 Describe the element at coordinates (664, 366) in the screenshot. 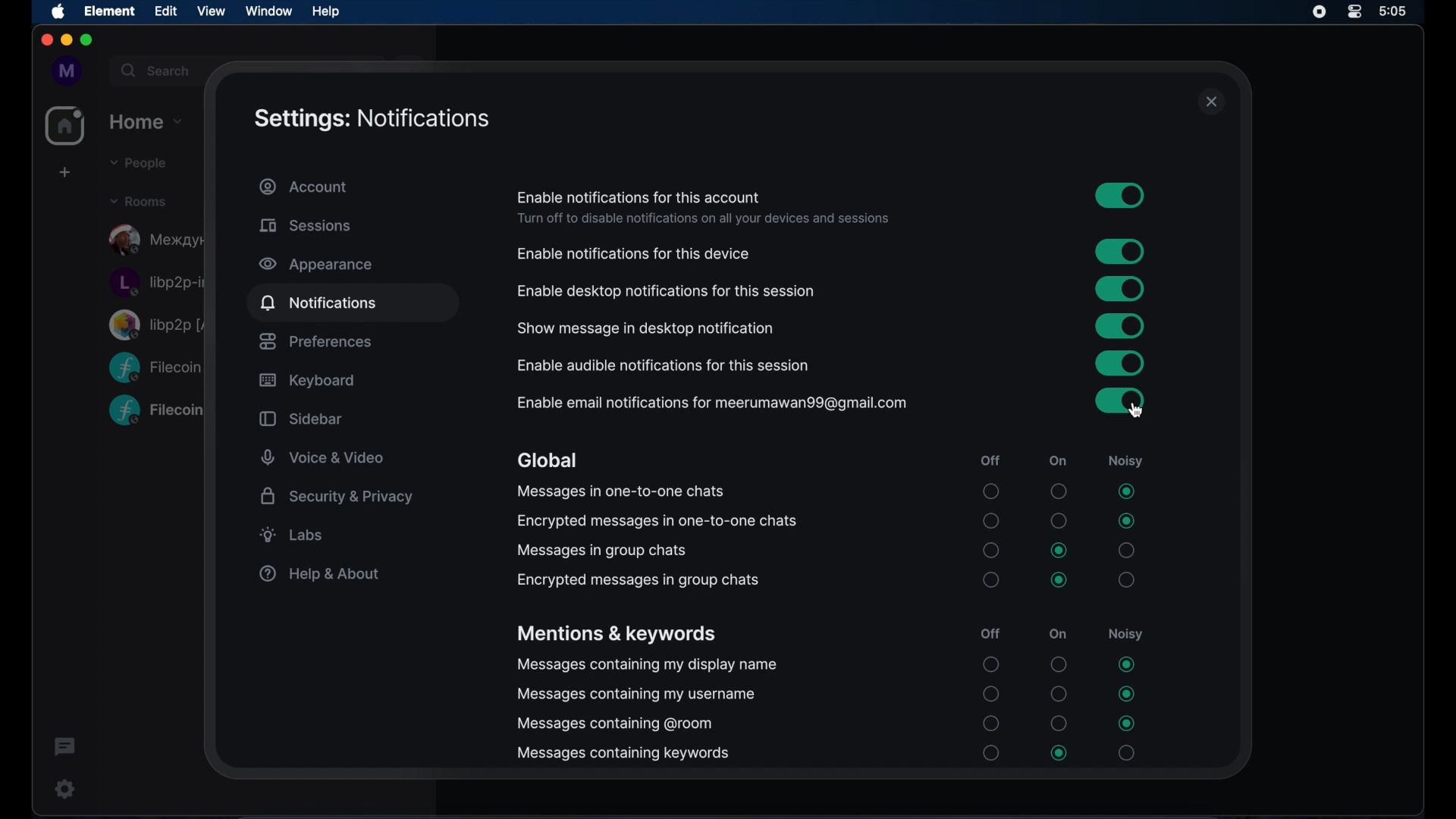

I see `enable audible notifications for this session` at that location.